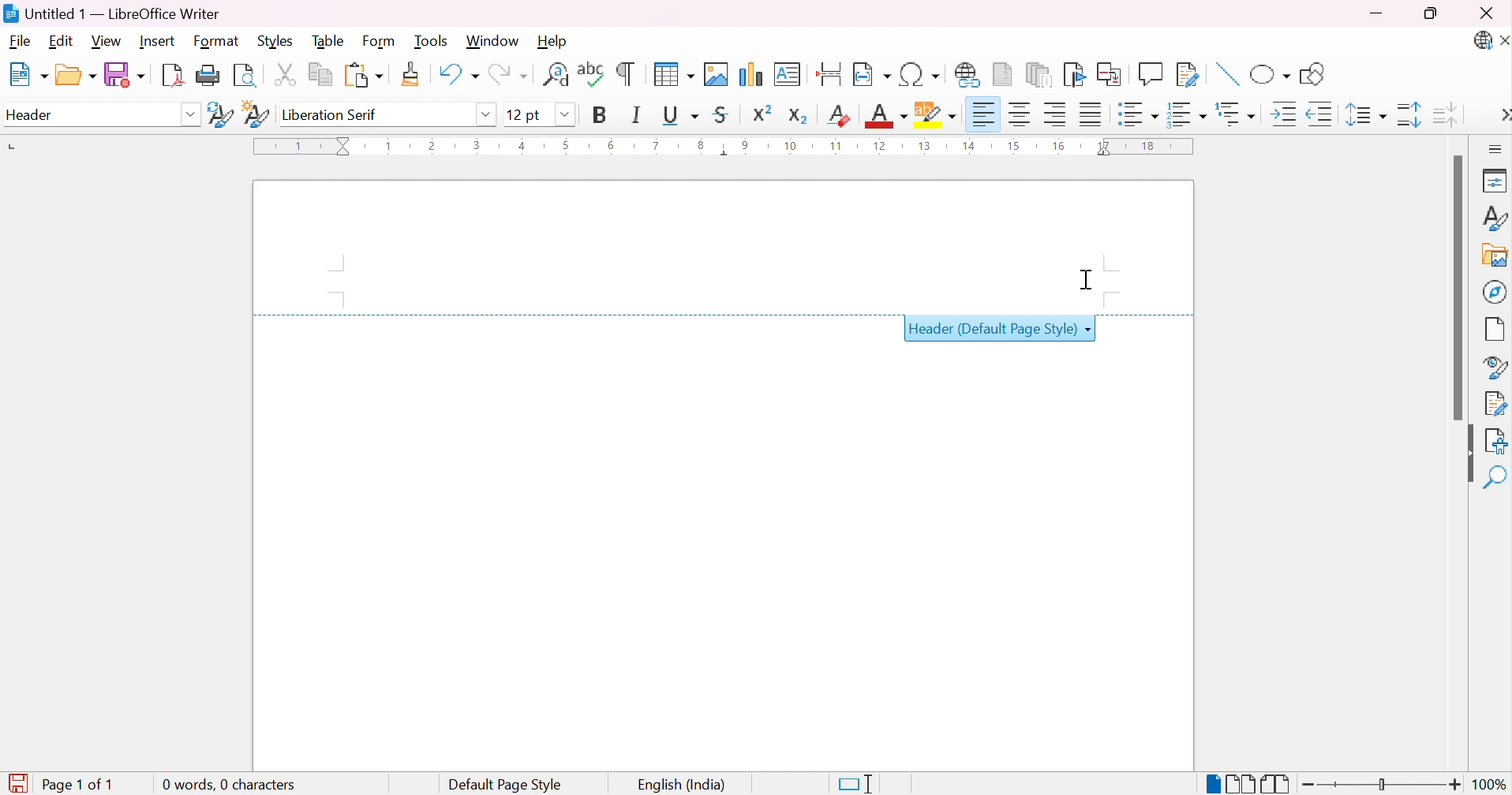 The height and width of the screenshot is (795, 1512). What do you see at coordinates (127, 75) in the screenshot?
I see `Save` at bounding box center [127, 75].